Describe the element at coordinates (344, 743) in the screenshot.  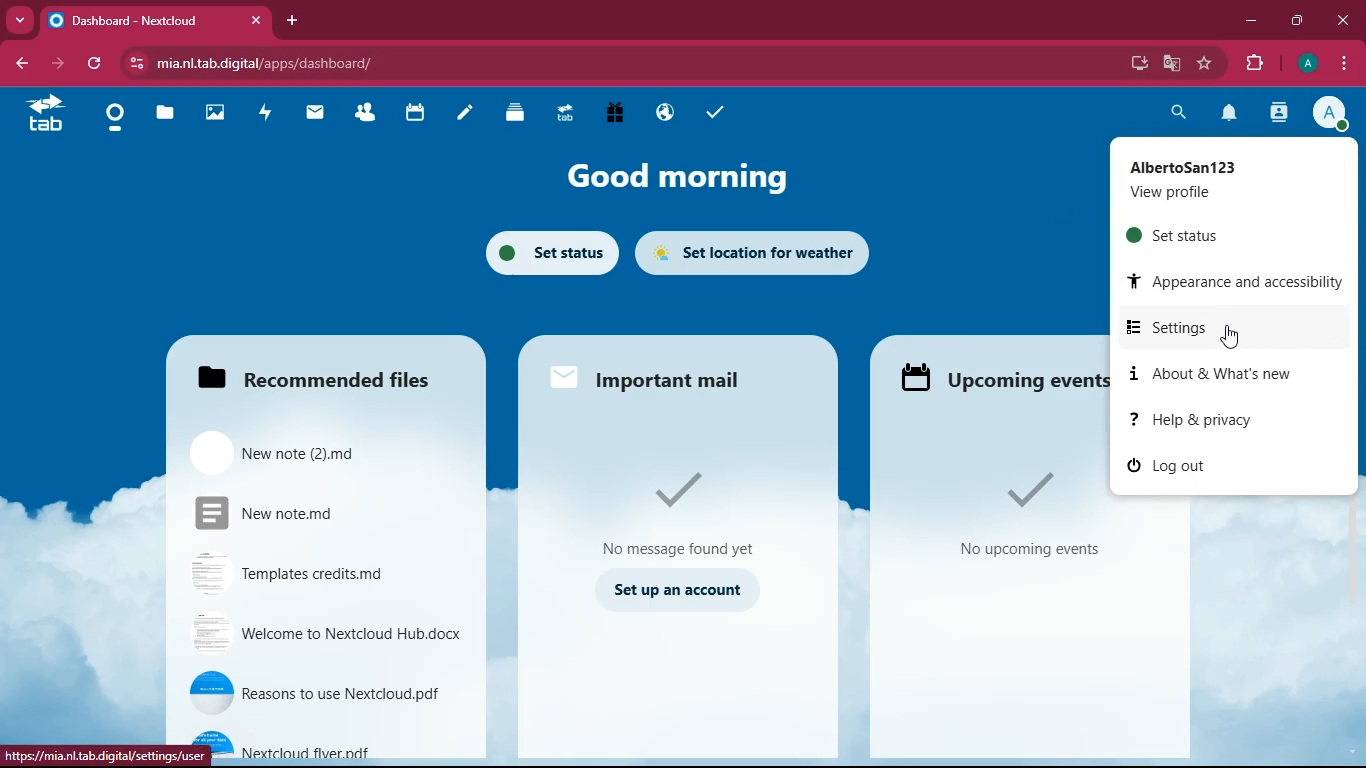
I see `Nextcloud flyer.pdf` at that location.